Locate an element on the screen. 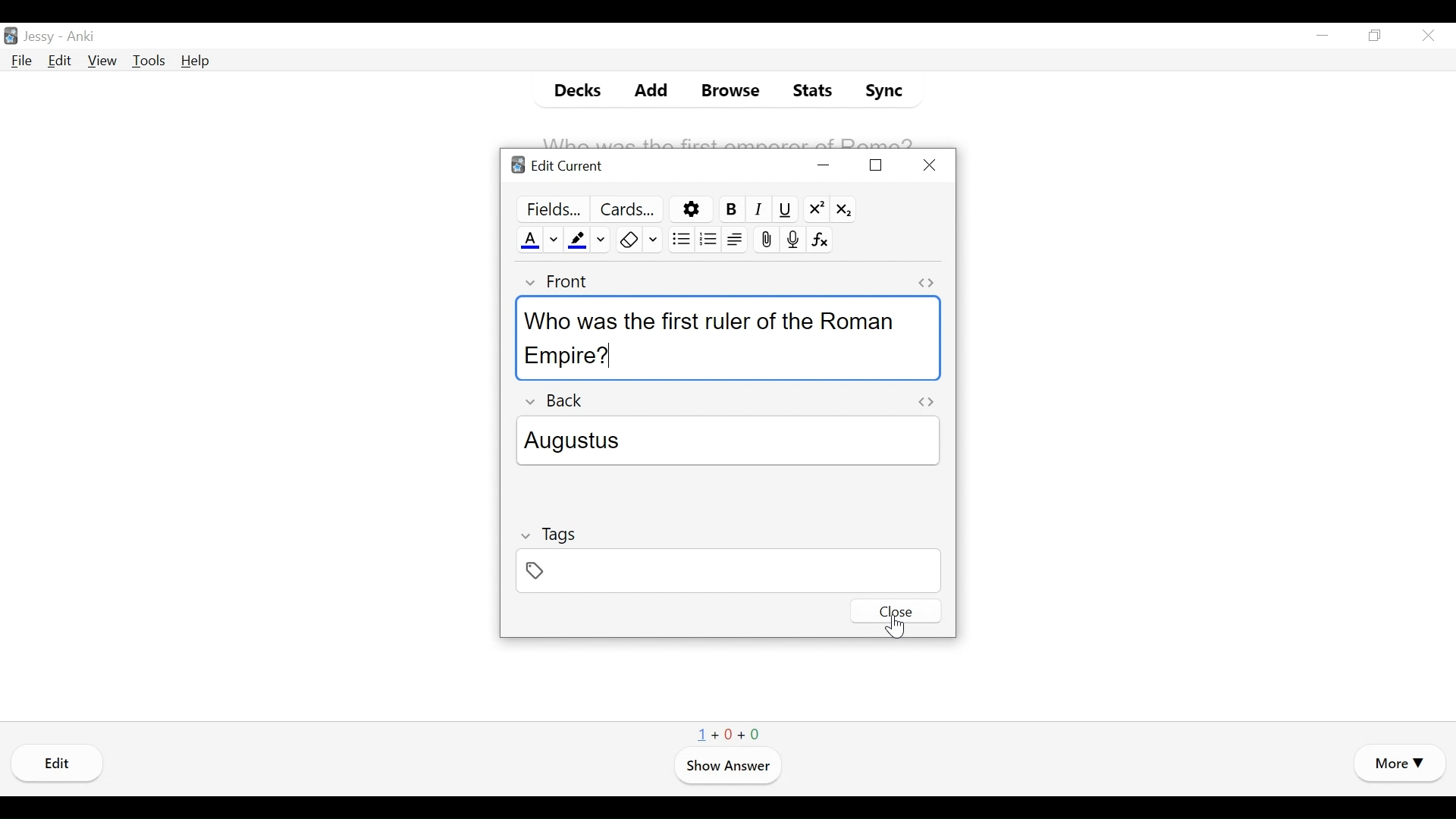 The height and width of the screenshot is (819, 1456). Subscript is located at coordinates (843, 208).